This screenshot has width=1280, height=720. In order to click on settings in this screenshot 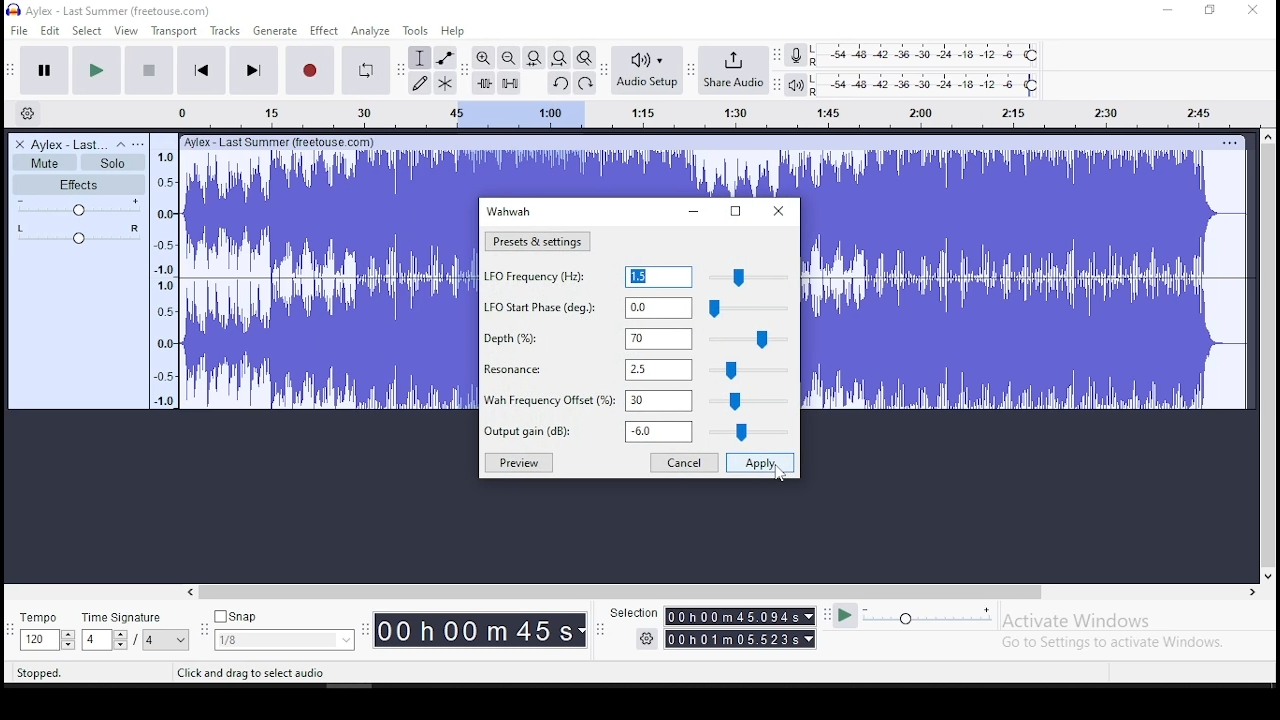, I will do `click(635, 639)`.